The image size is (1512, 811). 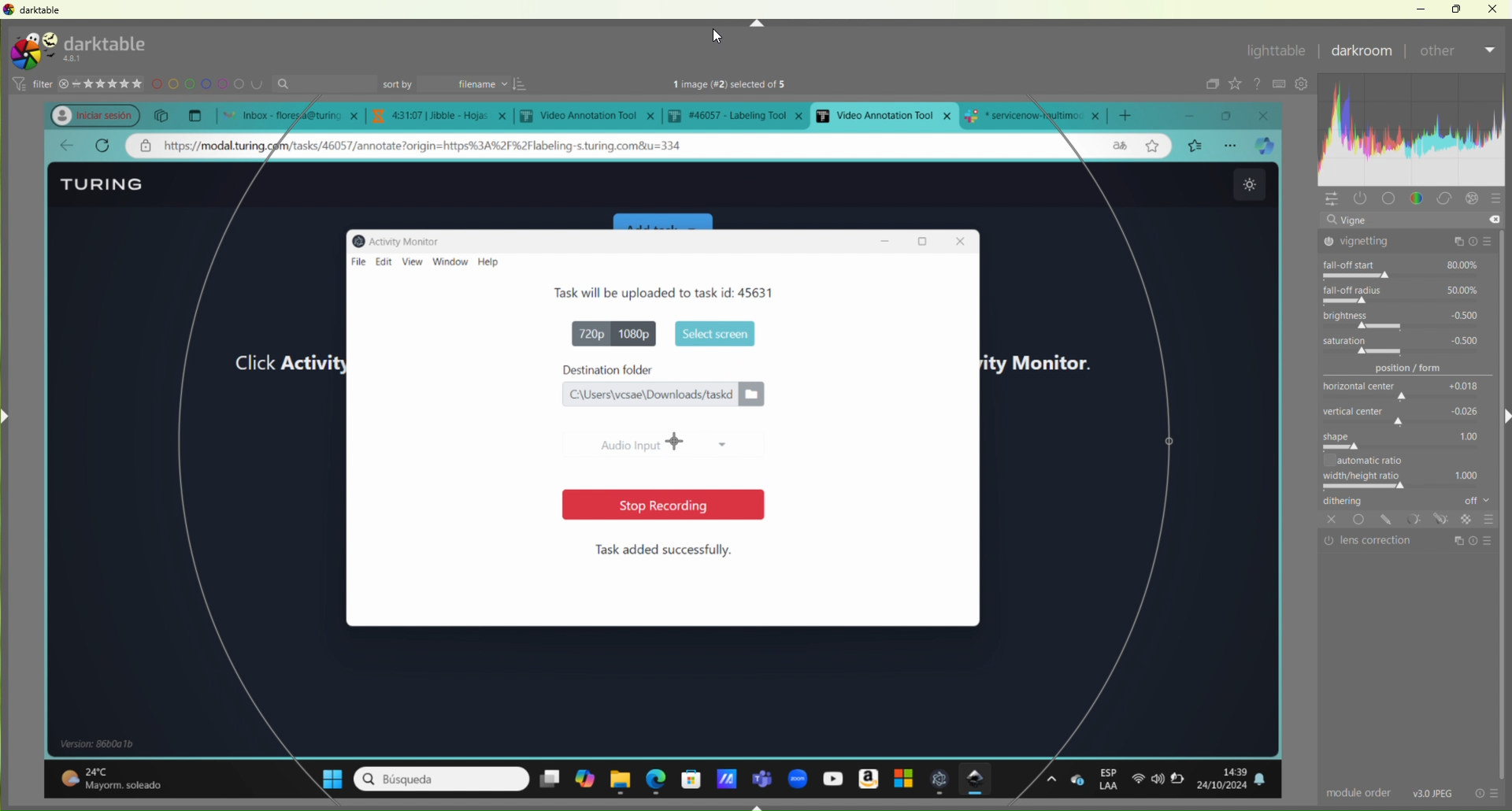 I want to click on Turing, so click(x=106, y=183).